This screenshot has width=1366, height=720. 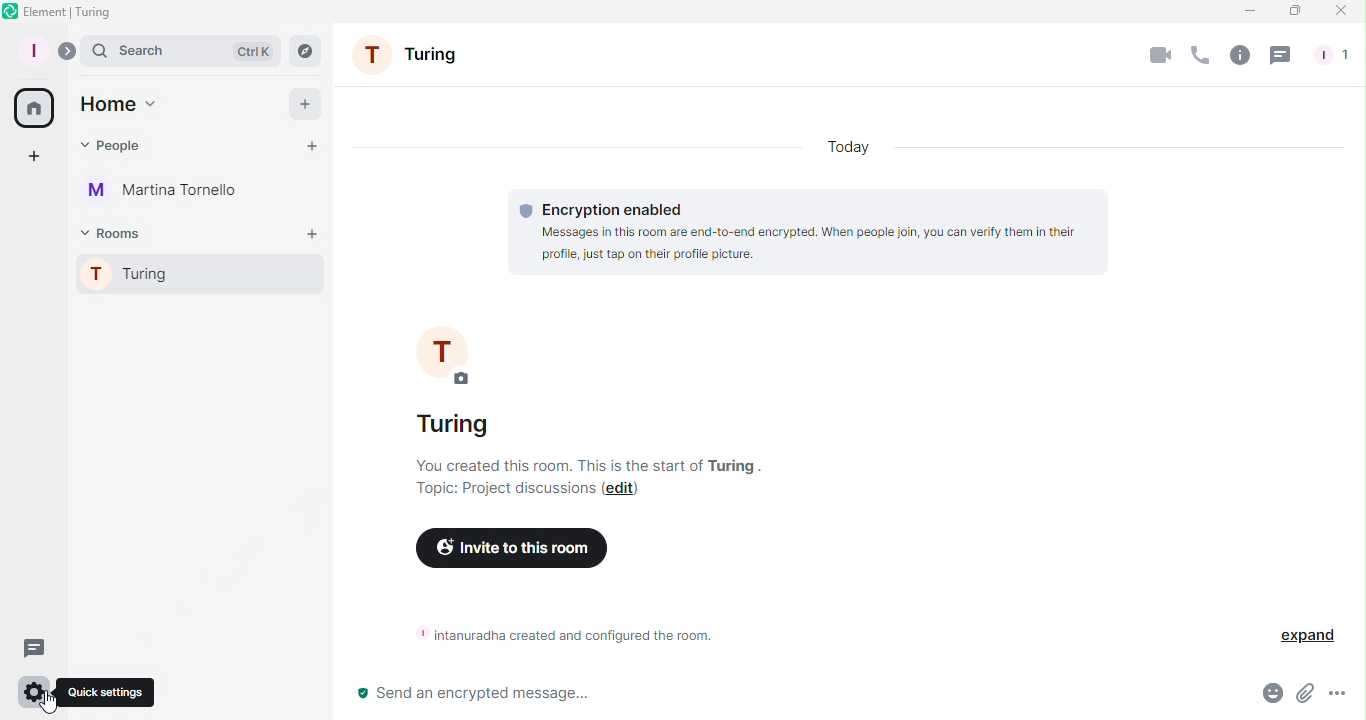 I want to click on Topic, so click(x=498, y=492).